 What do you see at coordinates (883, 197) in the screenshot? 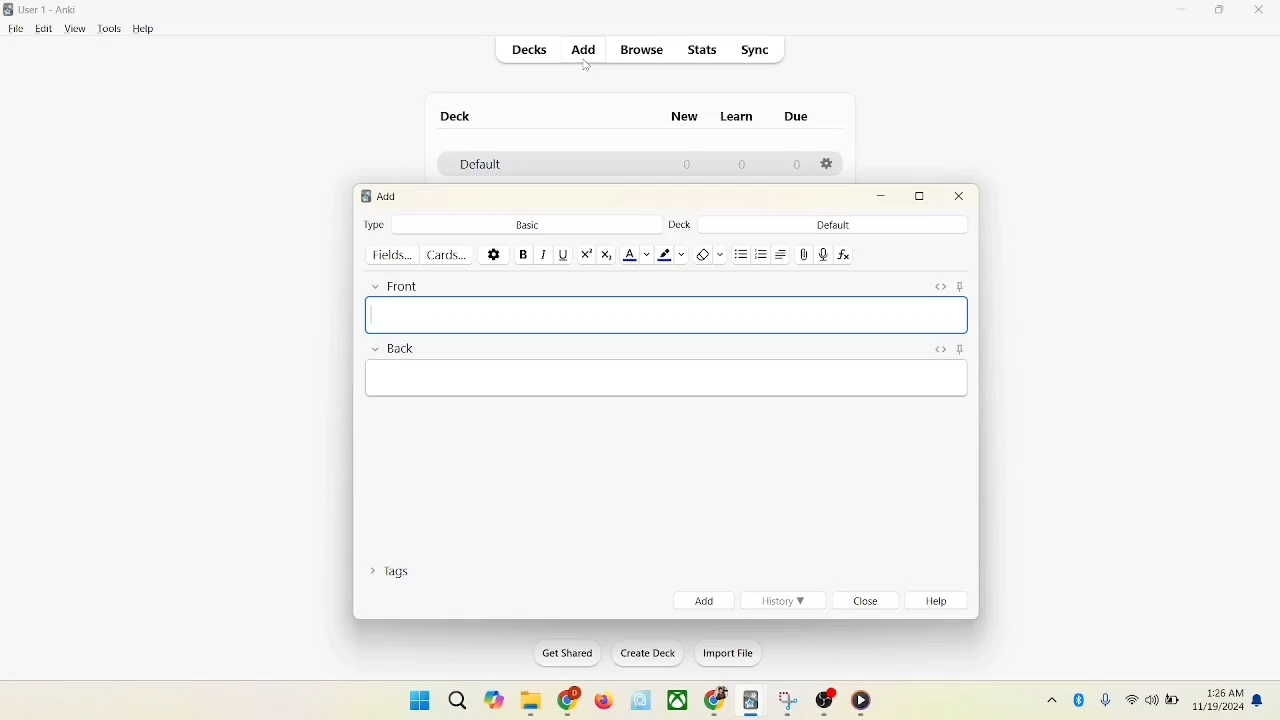
I see `minimize` at bounding box center [883, 197].